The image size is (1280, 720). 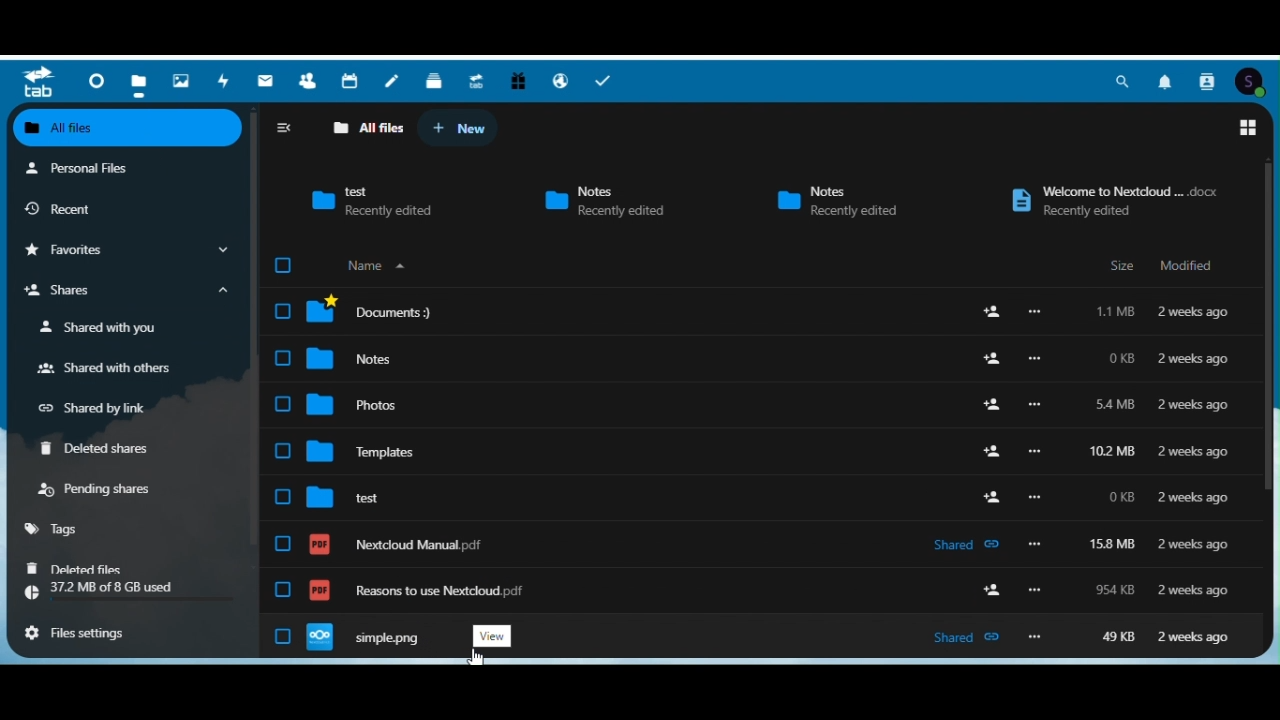 I want to click on options, so click(x=1035, y=451).